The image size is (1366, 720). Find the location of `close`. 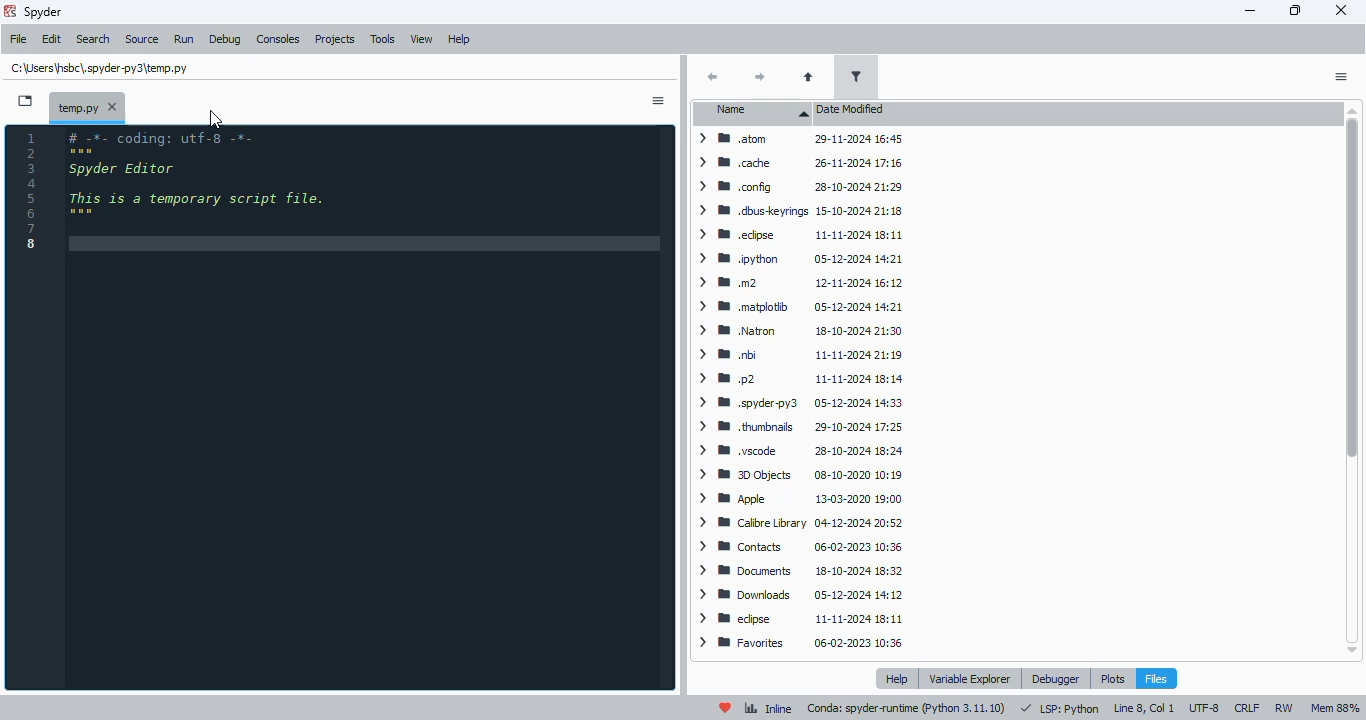

close is located at coordinates (1343, 10).